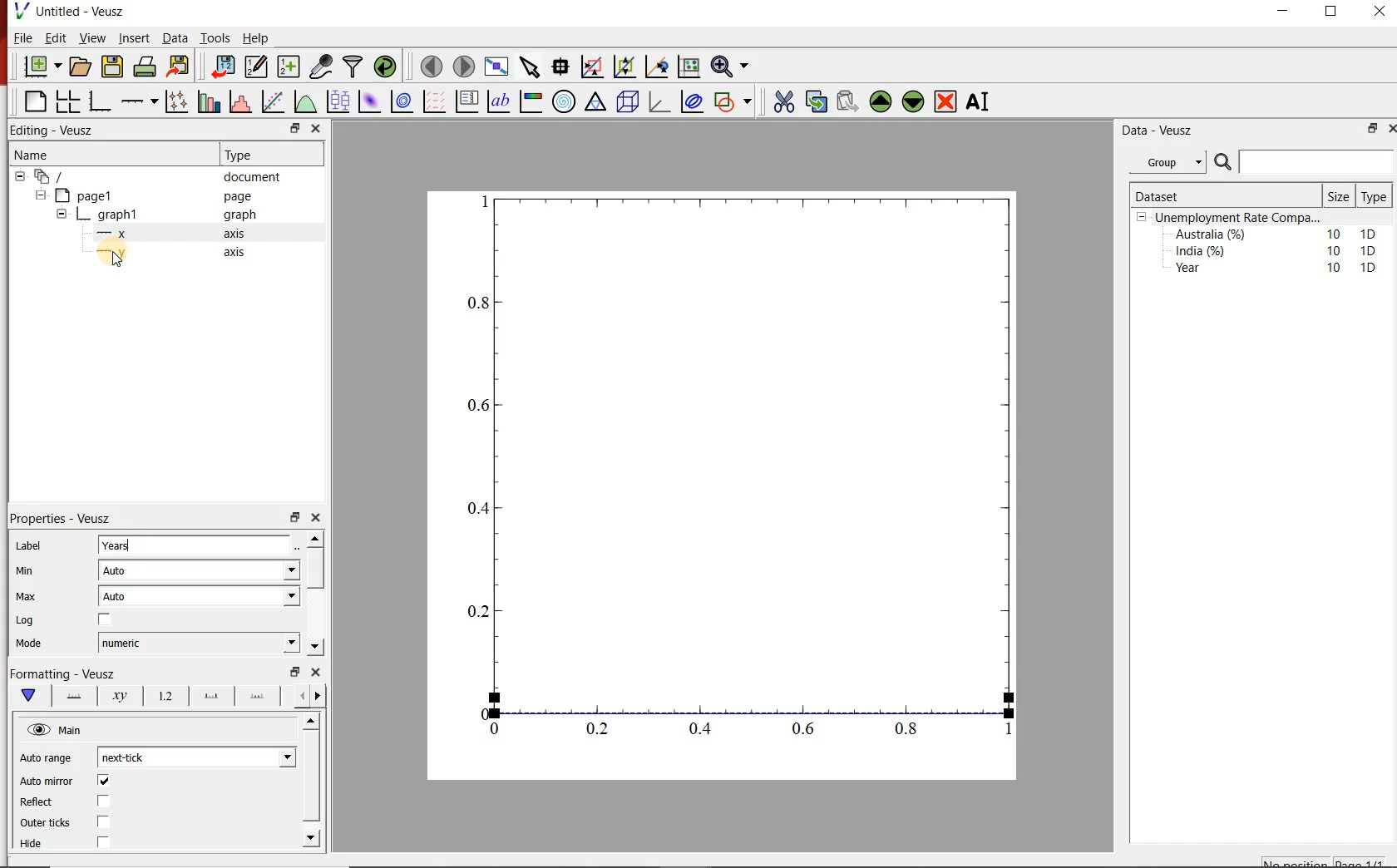 The image size is (1397, 868). Describe the element at coordinates (1277, 234) in the screenshot. I see `Australia (%) 10 1D` at that location.